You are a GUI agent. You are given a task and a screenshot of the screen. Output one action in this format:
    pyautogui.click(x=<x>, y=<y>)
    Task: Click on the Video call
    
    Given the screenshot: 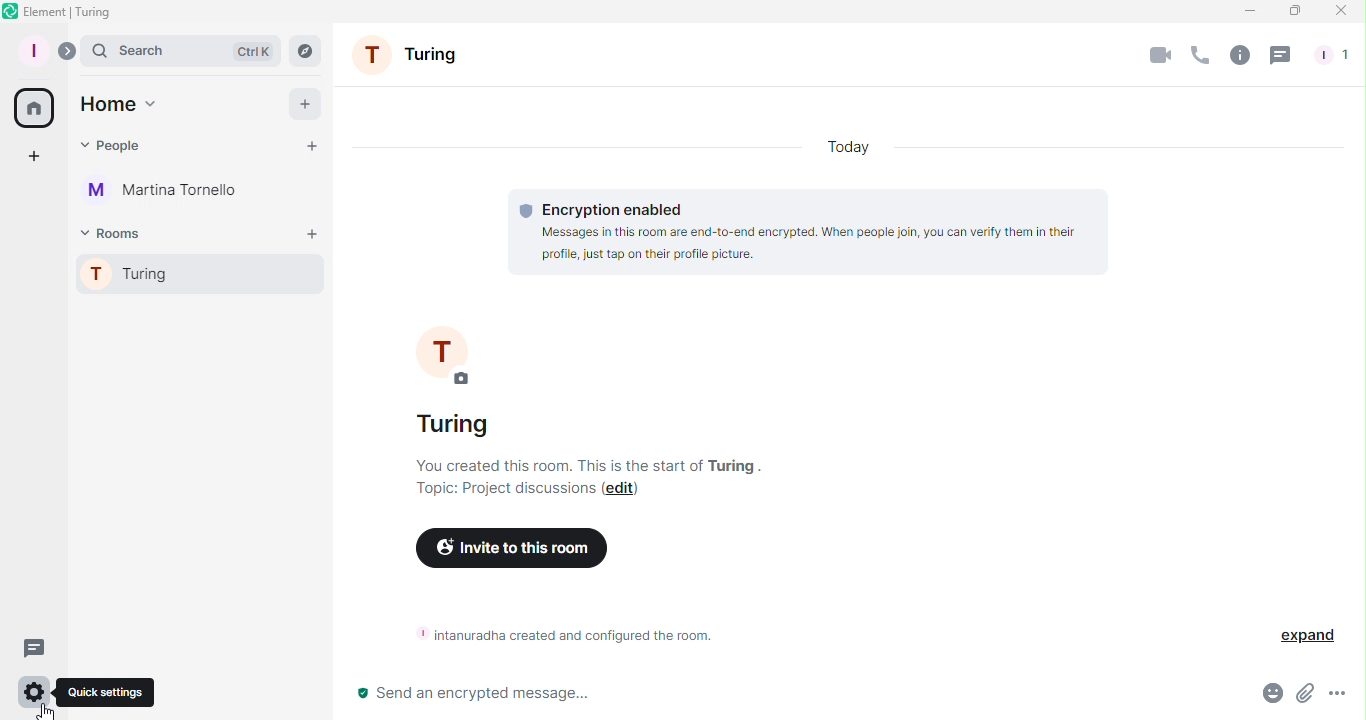 What is the action you would take?
    pyautogui.click(x=1155, y=56)
    